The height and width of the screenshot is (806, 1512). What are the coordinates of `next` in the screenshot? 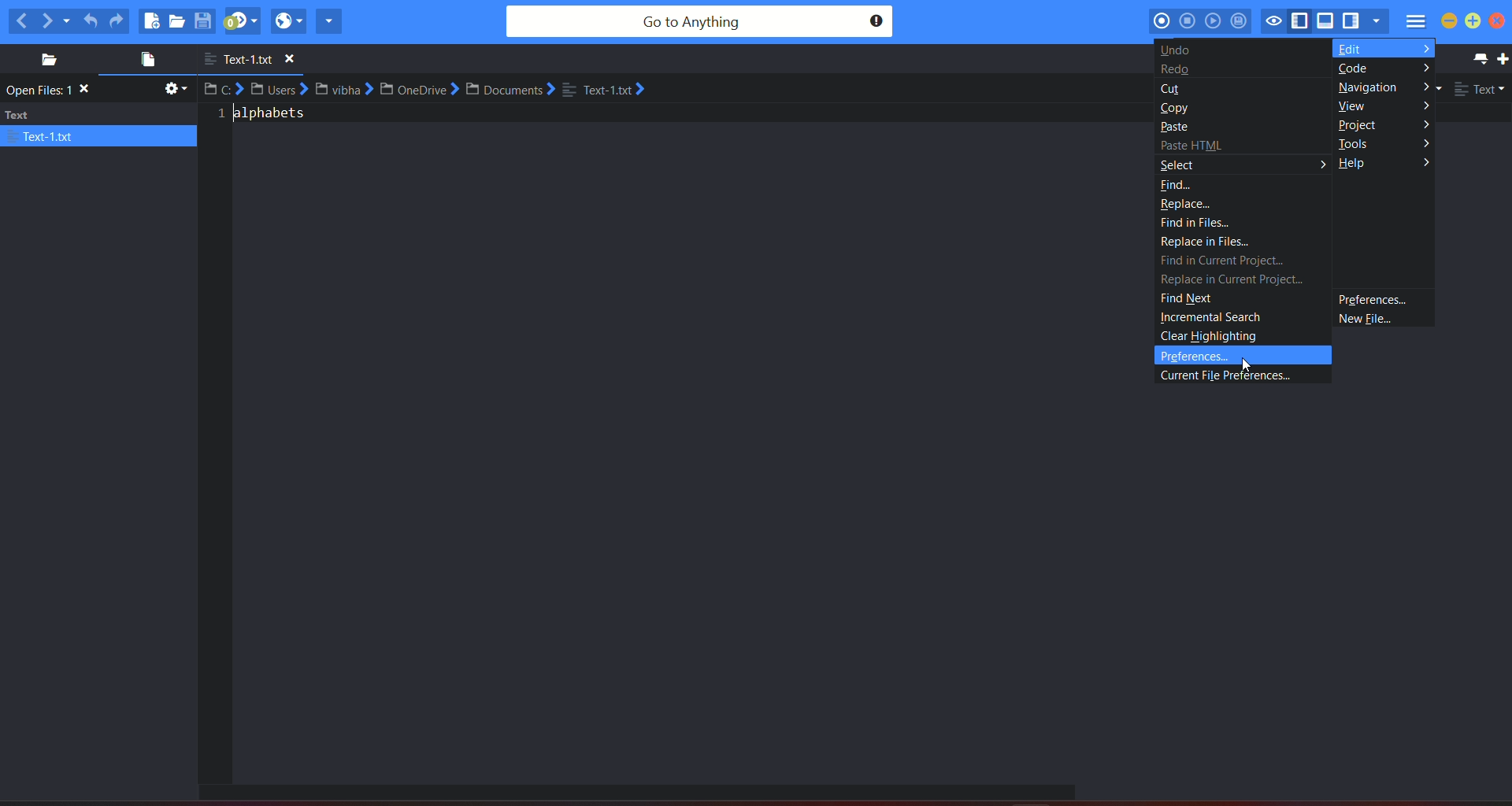 It's located at (56, 20).